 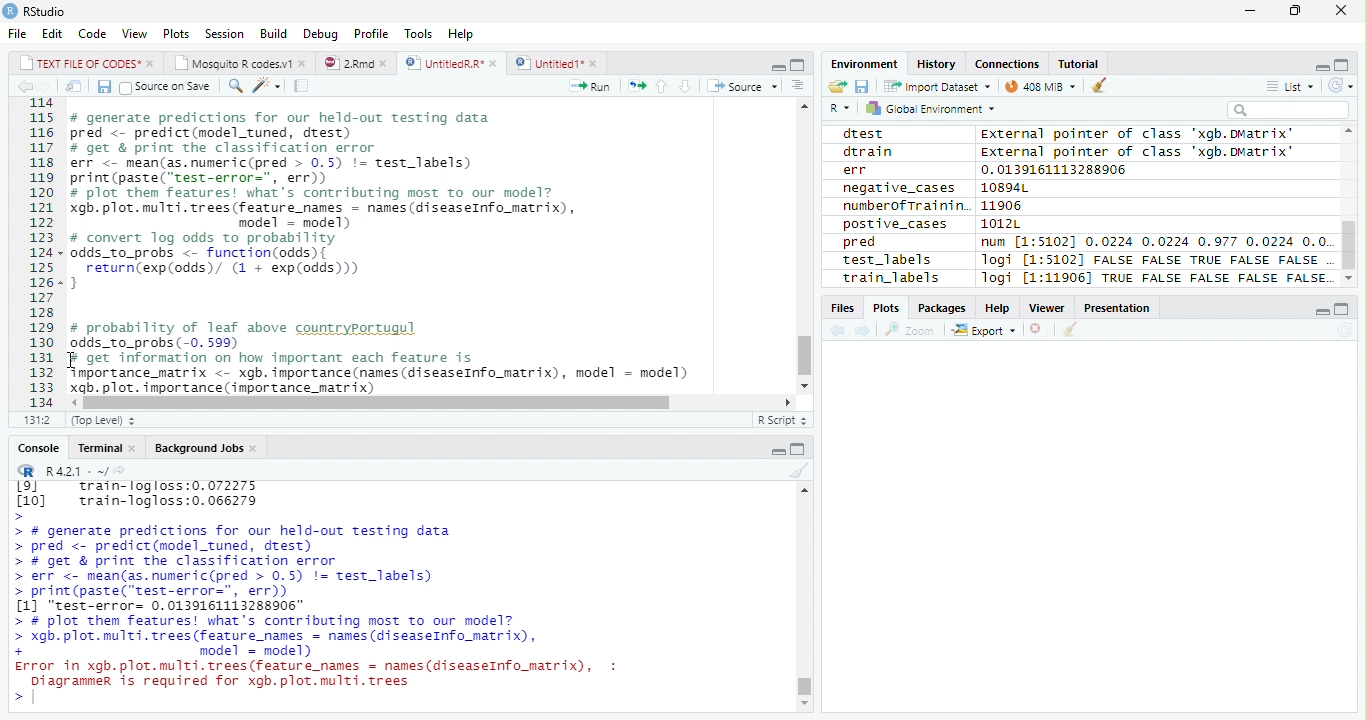 What do you see at coordinates (1155, 259) in the screenshot?
I see `logi [1:5102] FALSE FALSE TRUE FALSE FALSE` at bounding box center [1155, 259].